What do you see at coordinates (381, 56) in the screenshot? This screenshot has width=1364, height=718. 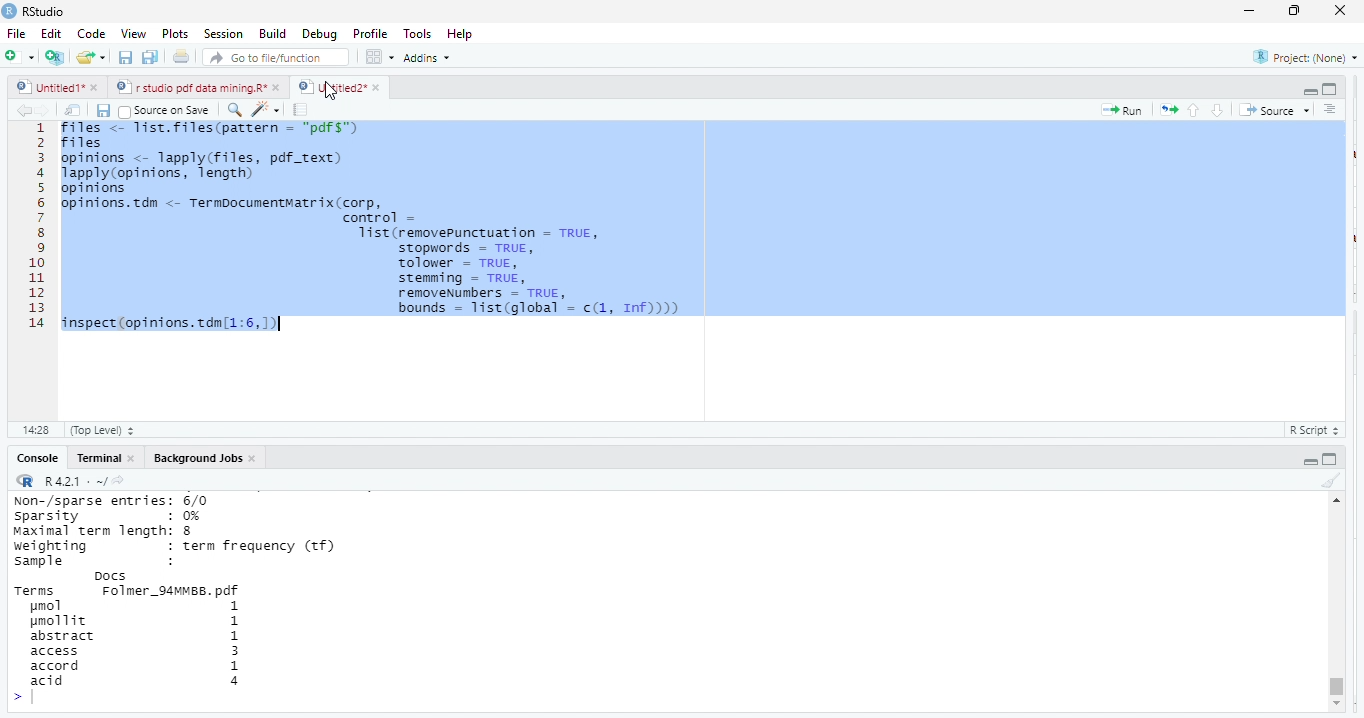 I see `options` at bounding box center [381, 56].